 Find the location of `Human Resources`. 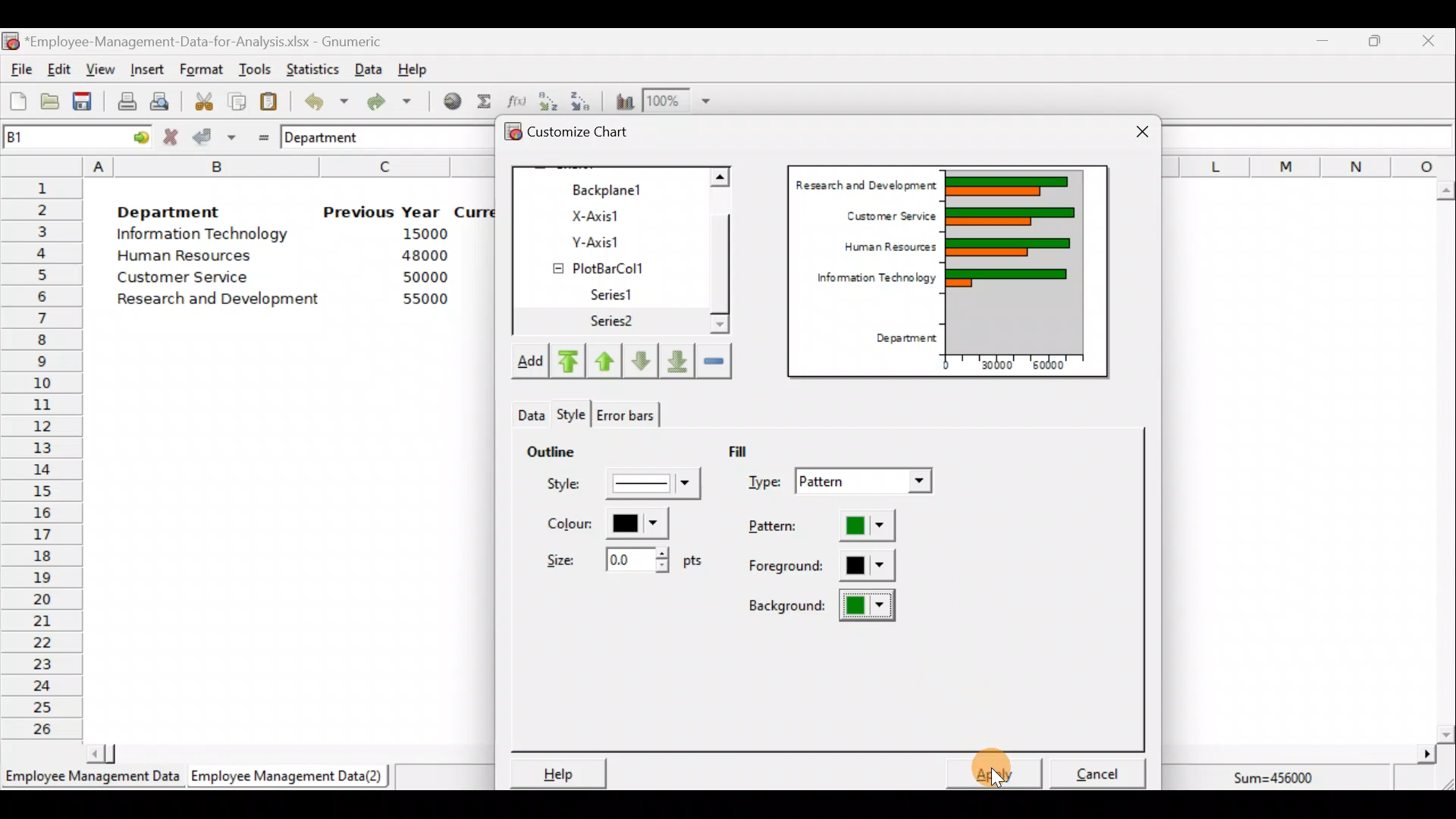

Human Resources is located at coordinates (192, 257).